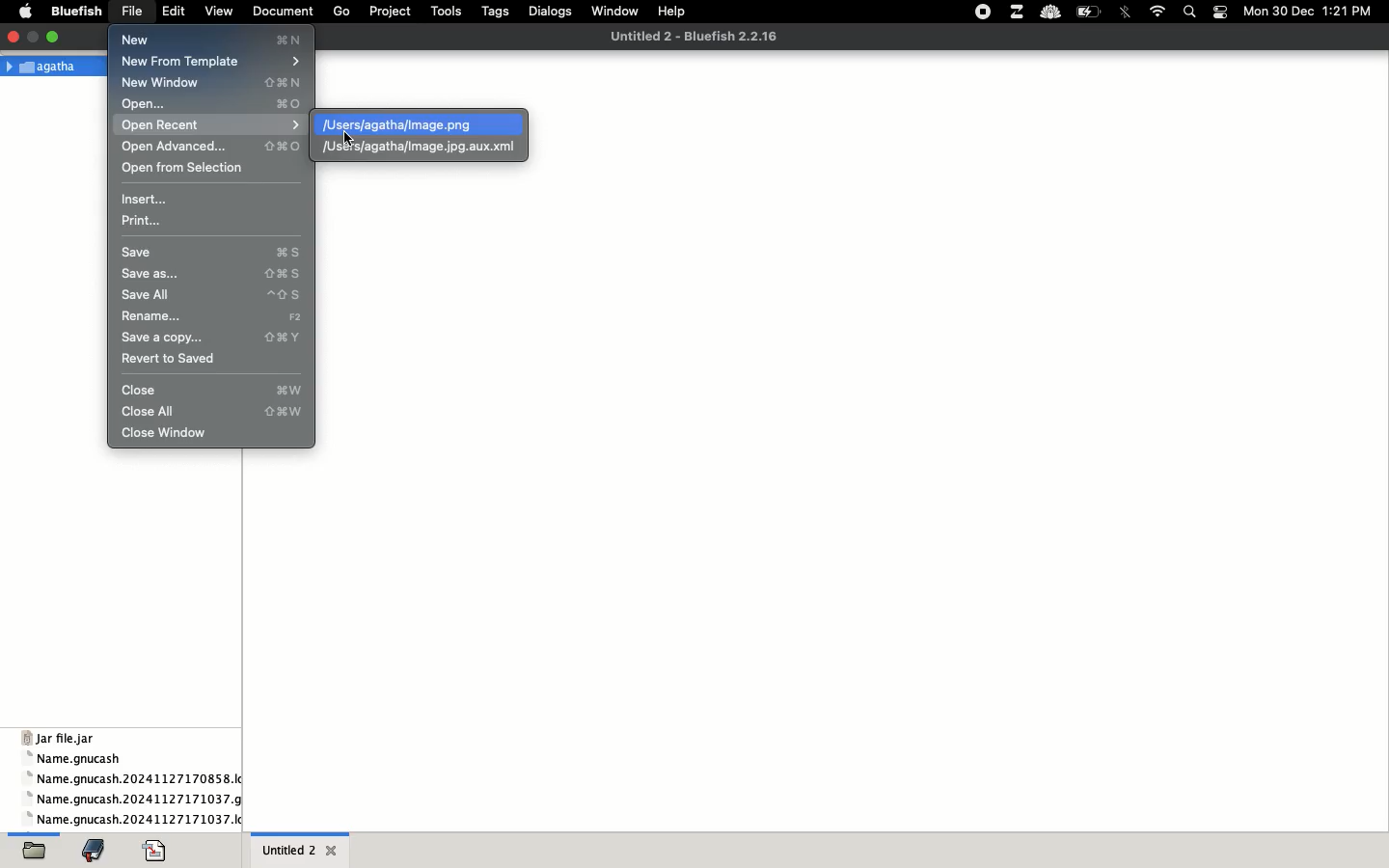 This screenshot has height=868, width=1389. Describe the element at coordinates (155, 851) in the screenshot. I see `code` at that location.